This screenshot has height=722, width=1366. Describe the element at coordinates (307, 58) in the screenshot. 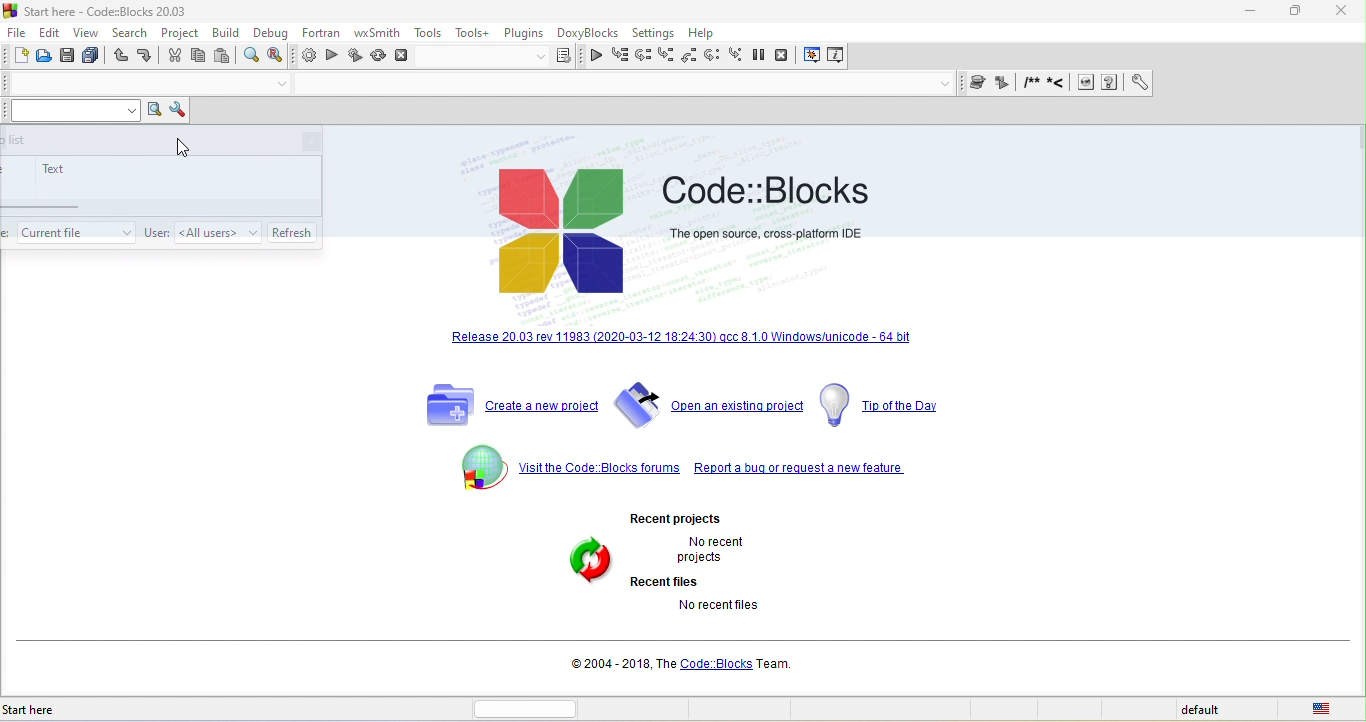

I see `build ` at that location.